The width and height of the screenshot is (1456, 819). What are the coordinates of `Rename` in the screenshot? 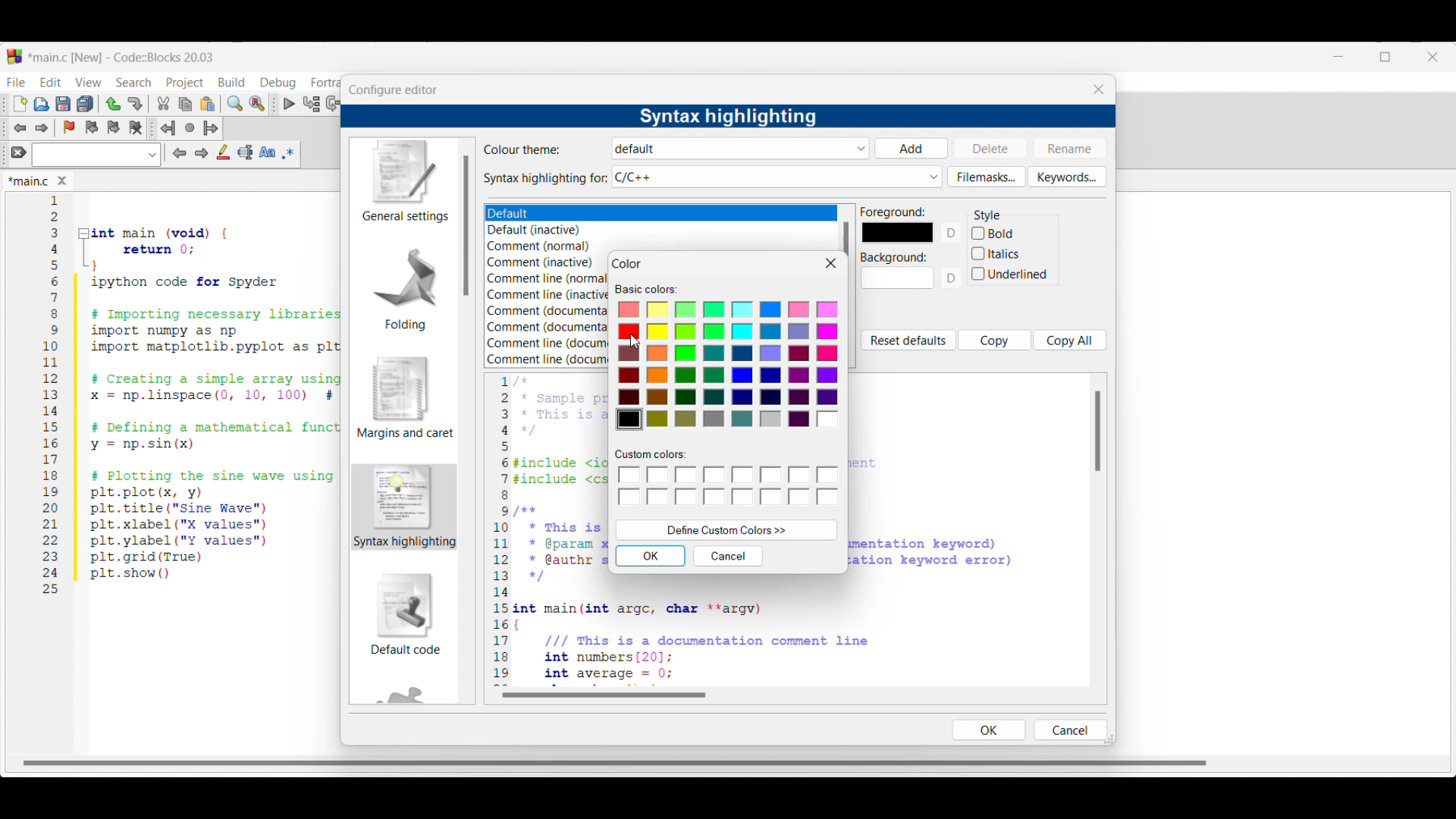 It's located at (1069, 148).